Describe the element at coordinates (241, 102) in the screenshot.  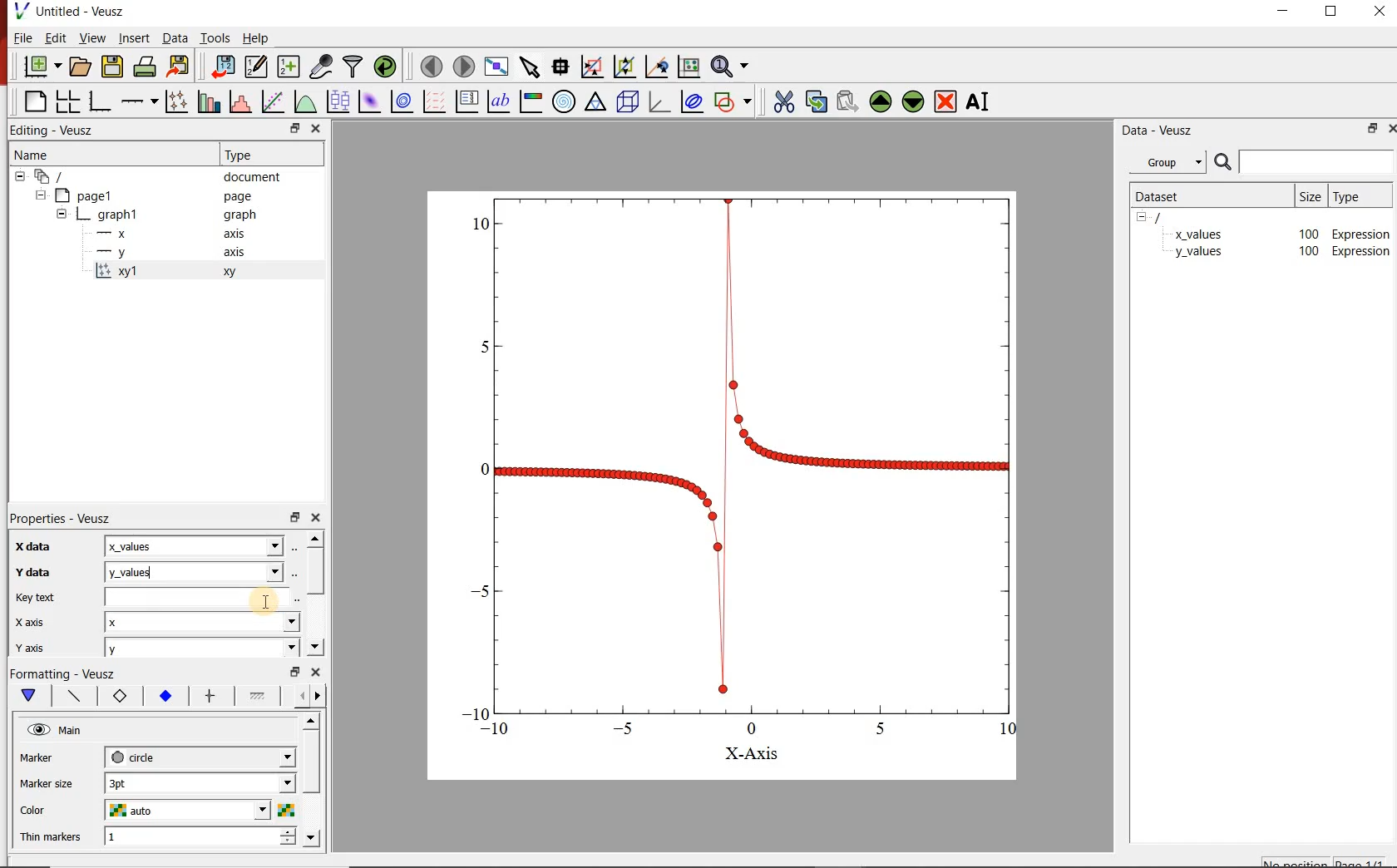
I see `histogram of a dataset` at that location.